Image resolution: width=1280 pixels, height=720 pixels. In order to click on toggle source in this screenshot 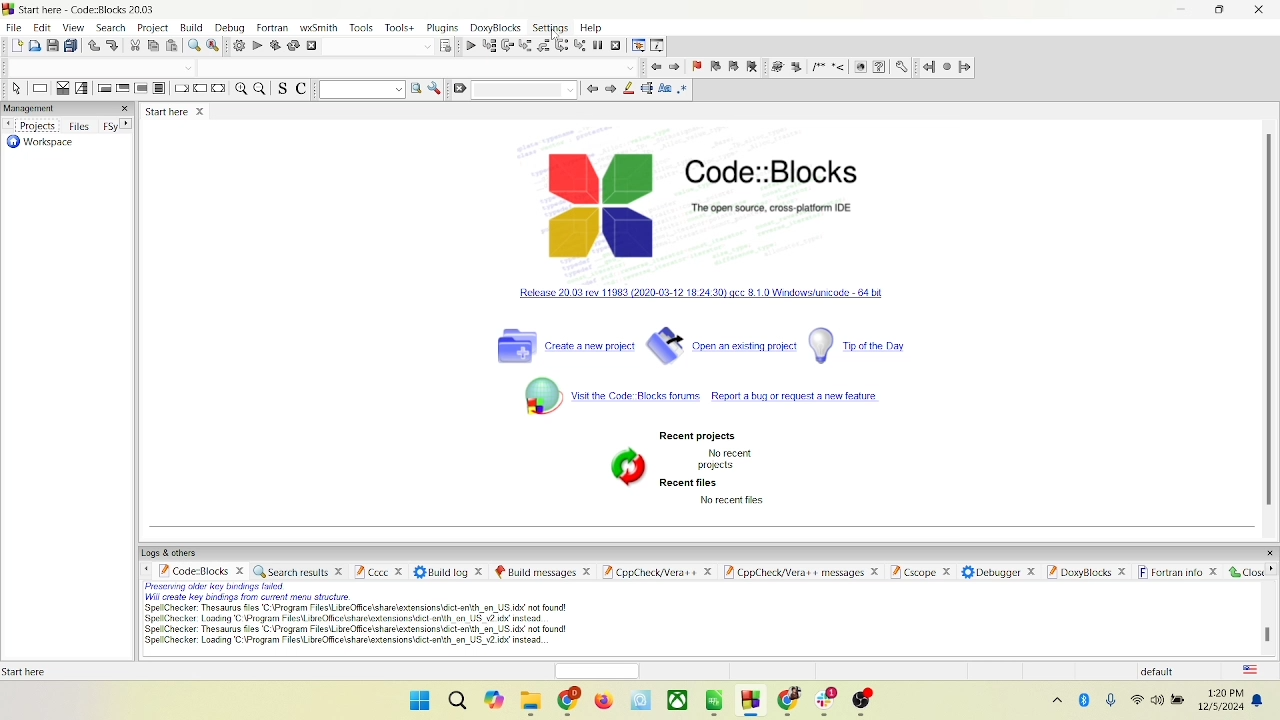, I will do `click(280, 90)`.